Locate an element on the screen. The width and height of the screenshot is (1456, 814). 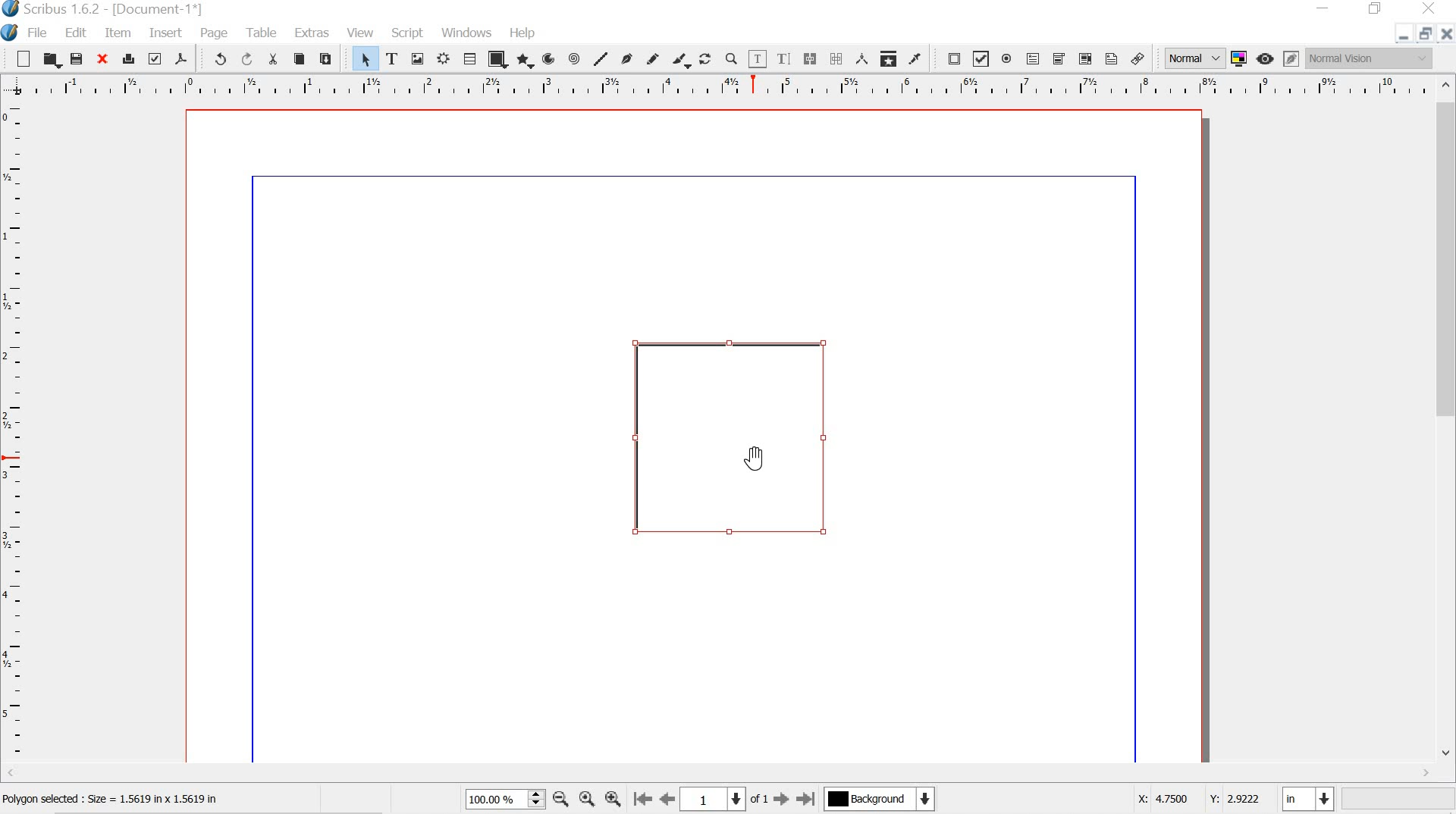
logo is located at coordinates (10, 31).